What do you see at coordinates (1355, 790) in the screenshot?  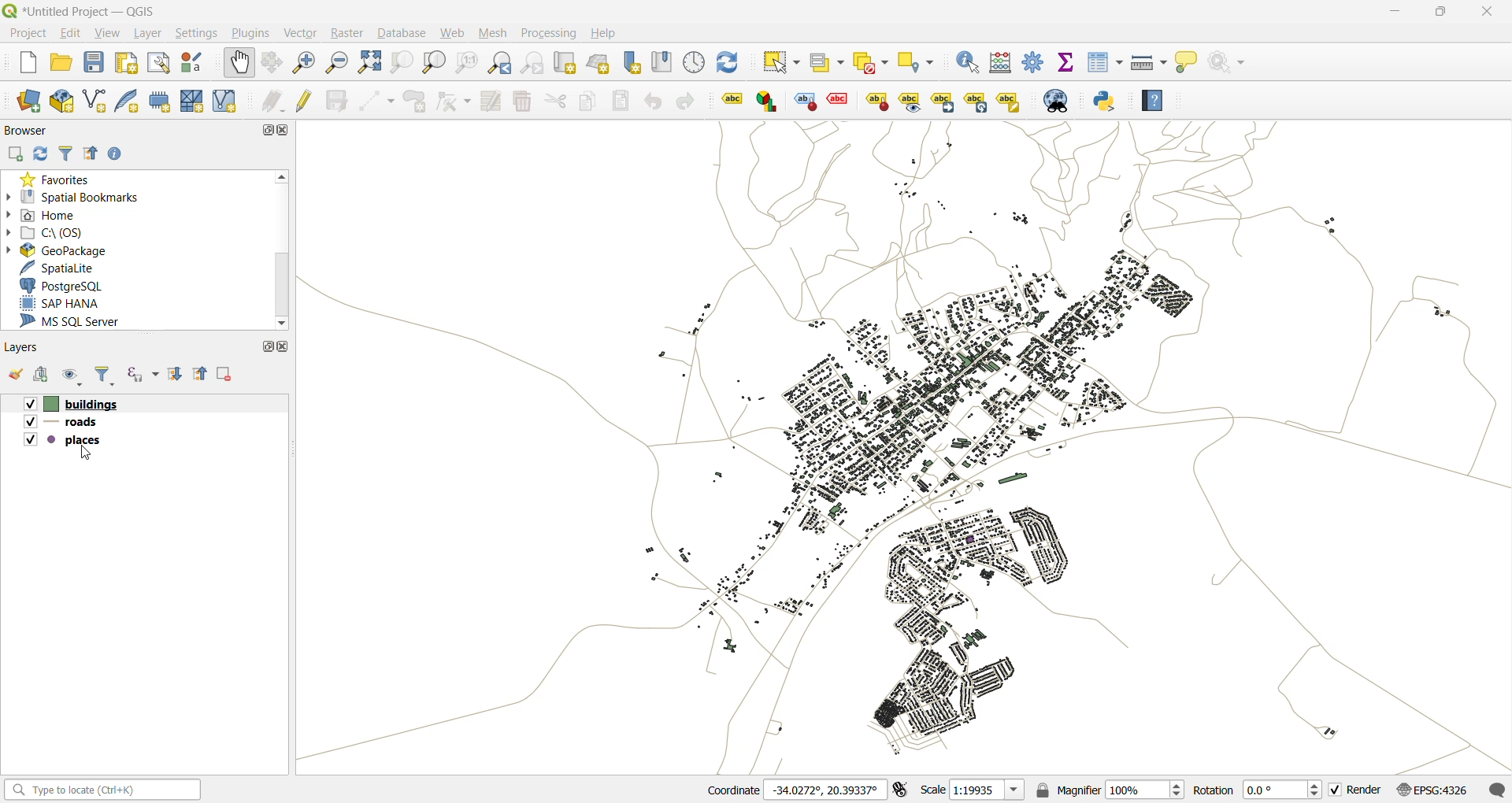 I see `render` at bounding box center [1355, 790].